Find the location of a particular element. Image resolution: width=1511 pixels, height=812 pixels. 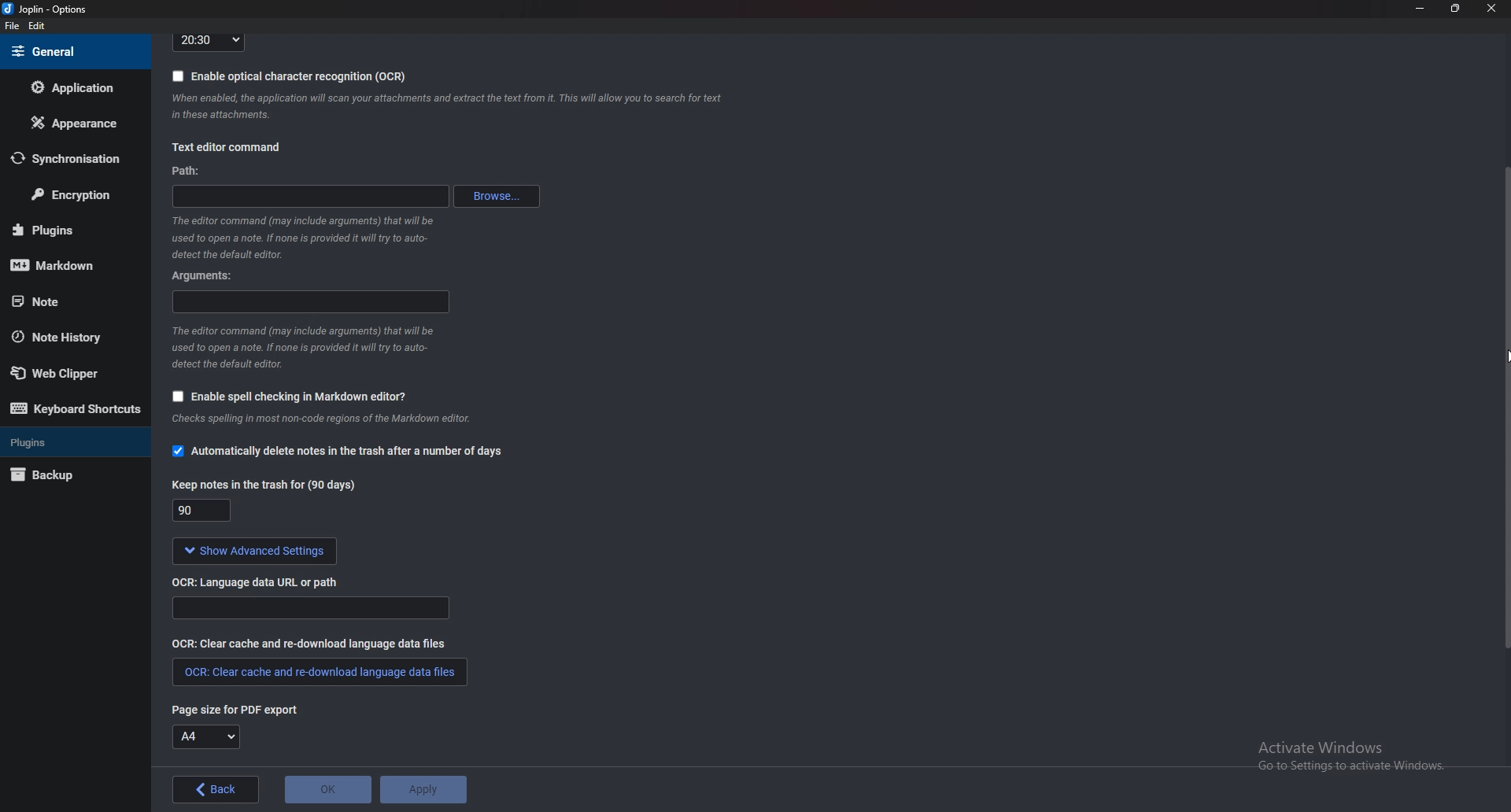

path is located at coordinates (188, 172).